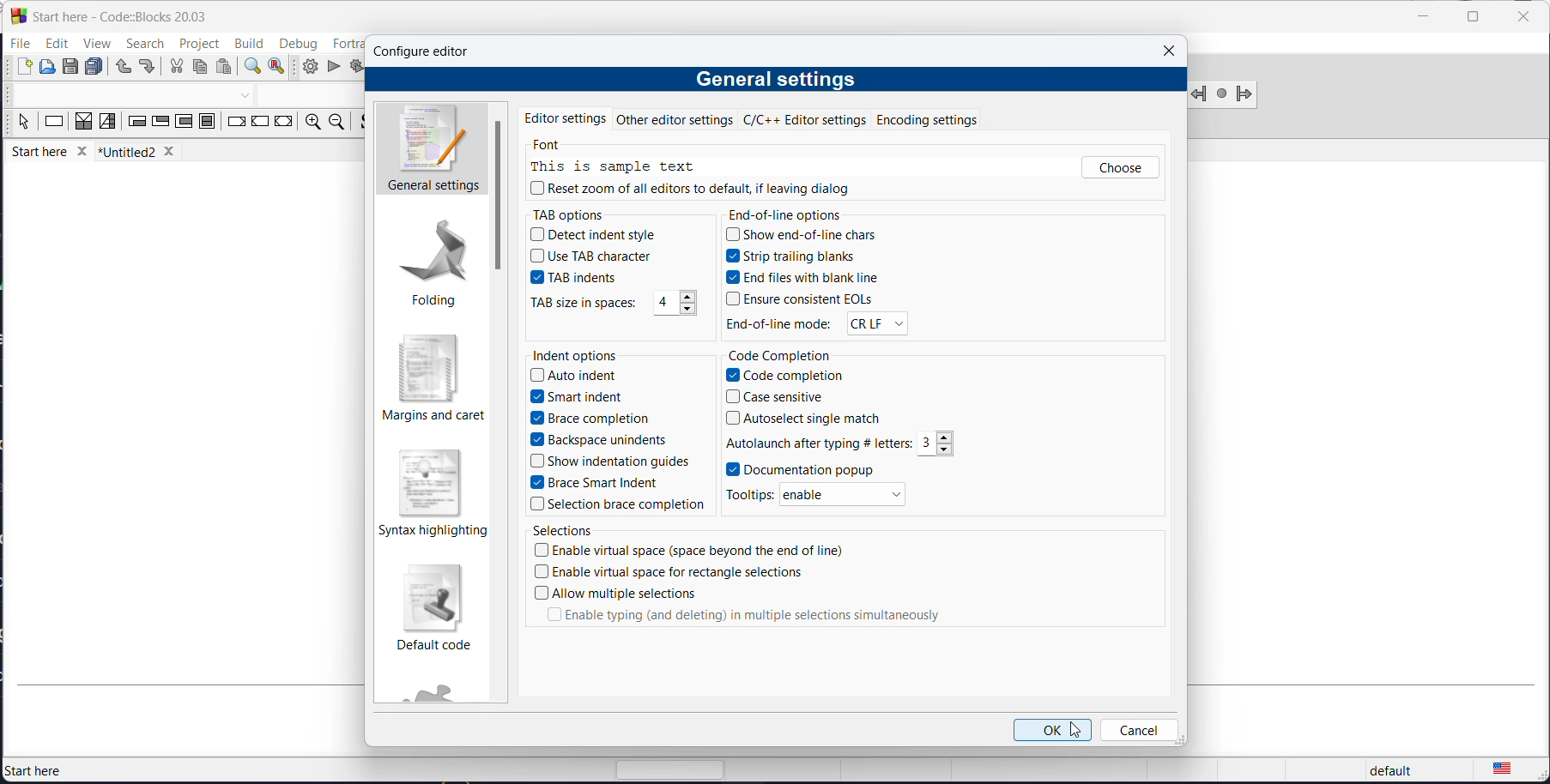 The width and height of the screenshot is (1550, 784). Describe the element at coordinates (236, 124) in the screenshot. I see `break instruction` at that location.